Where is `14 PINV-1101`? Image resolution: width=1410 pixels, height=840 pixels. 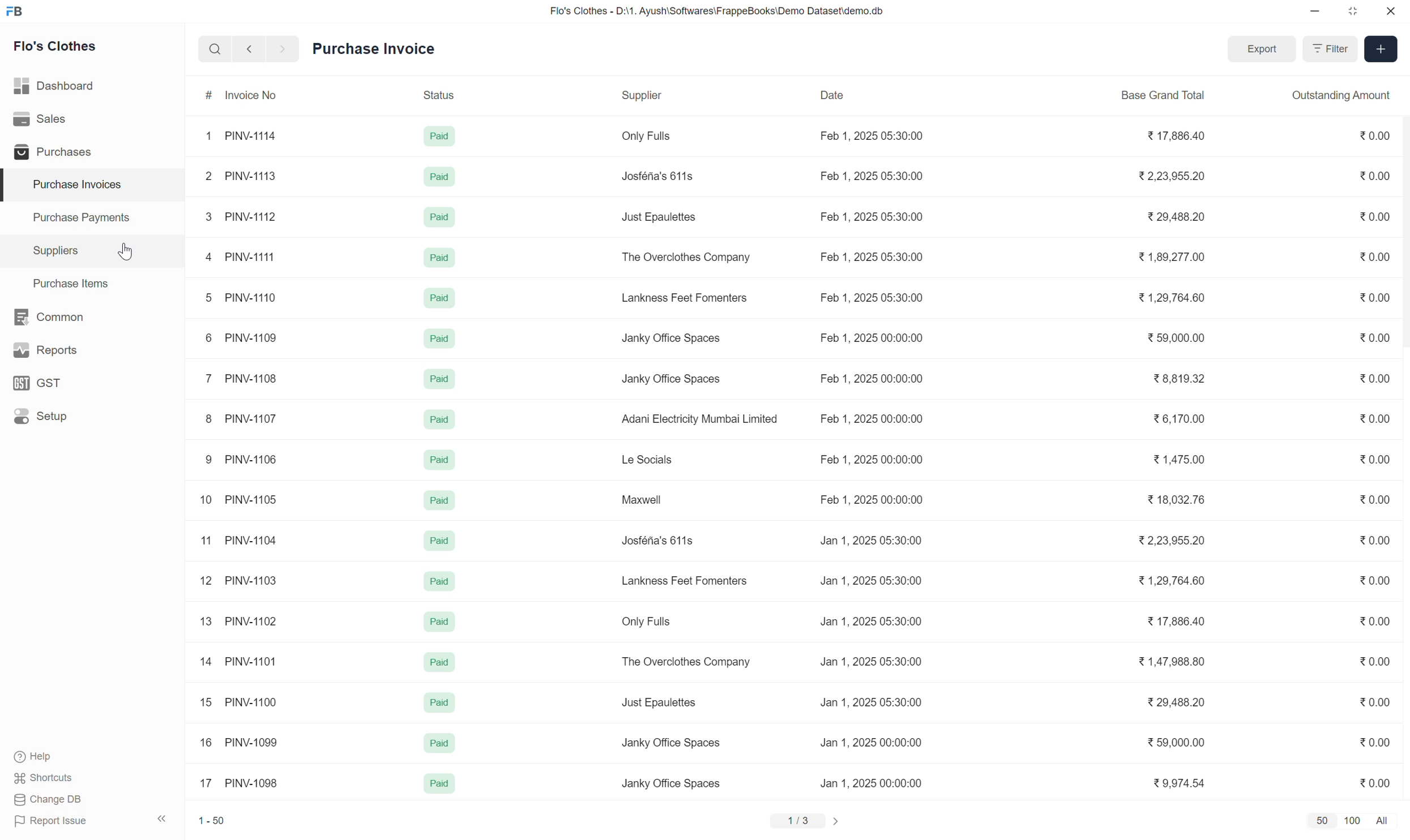 14 PINV-1101 is located at coordinates (238, 661).